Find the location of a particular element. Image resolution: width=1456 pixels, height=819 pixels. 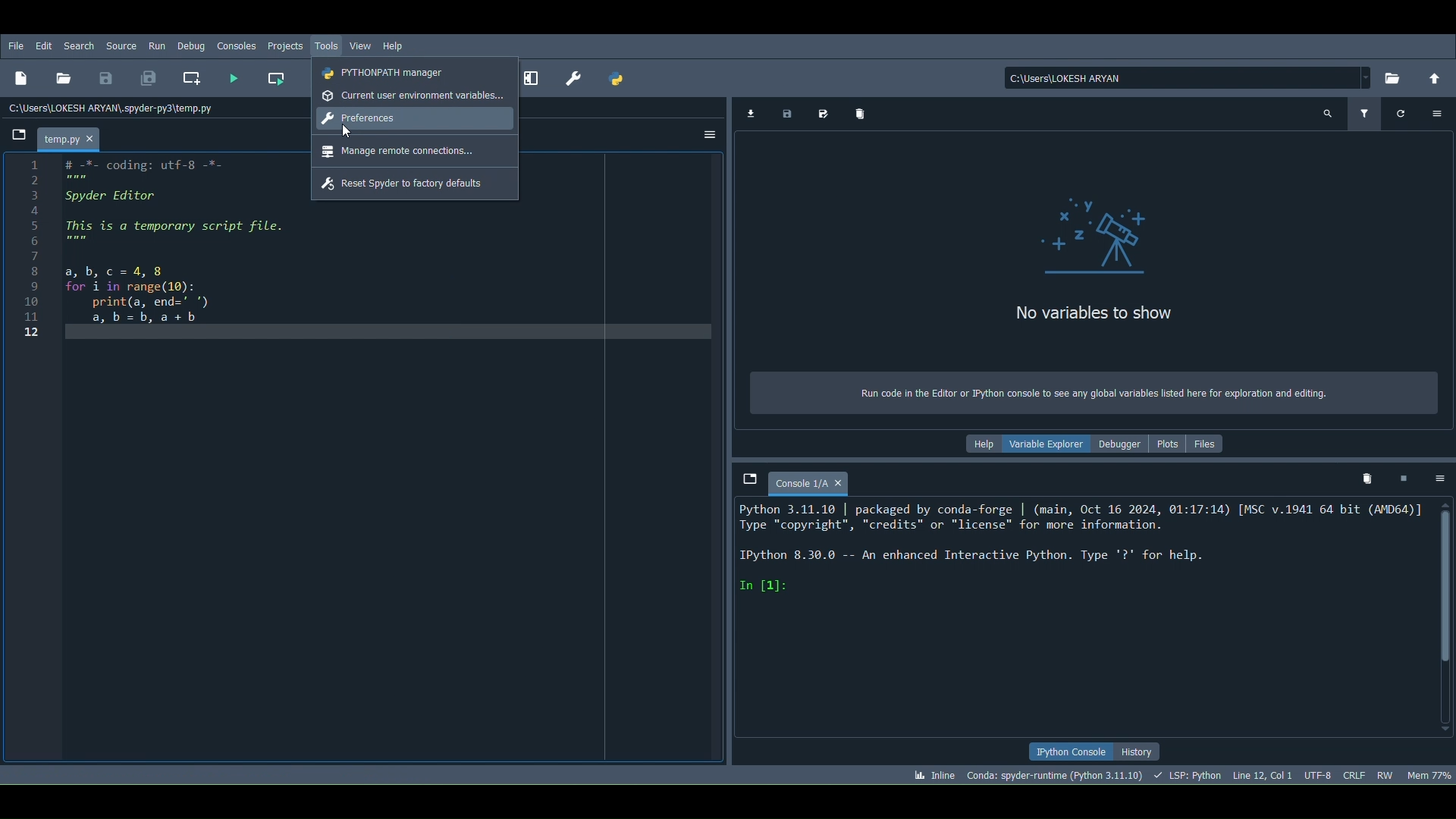

Source is located at coordinates (124, 45).